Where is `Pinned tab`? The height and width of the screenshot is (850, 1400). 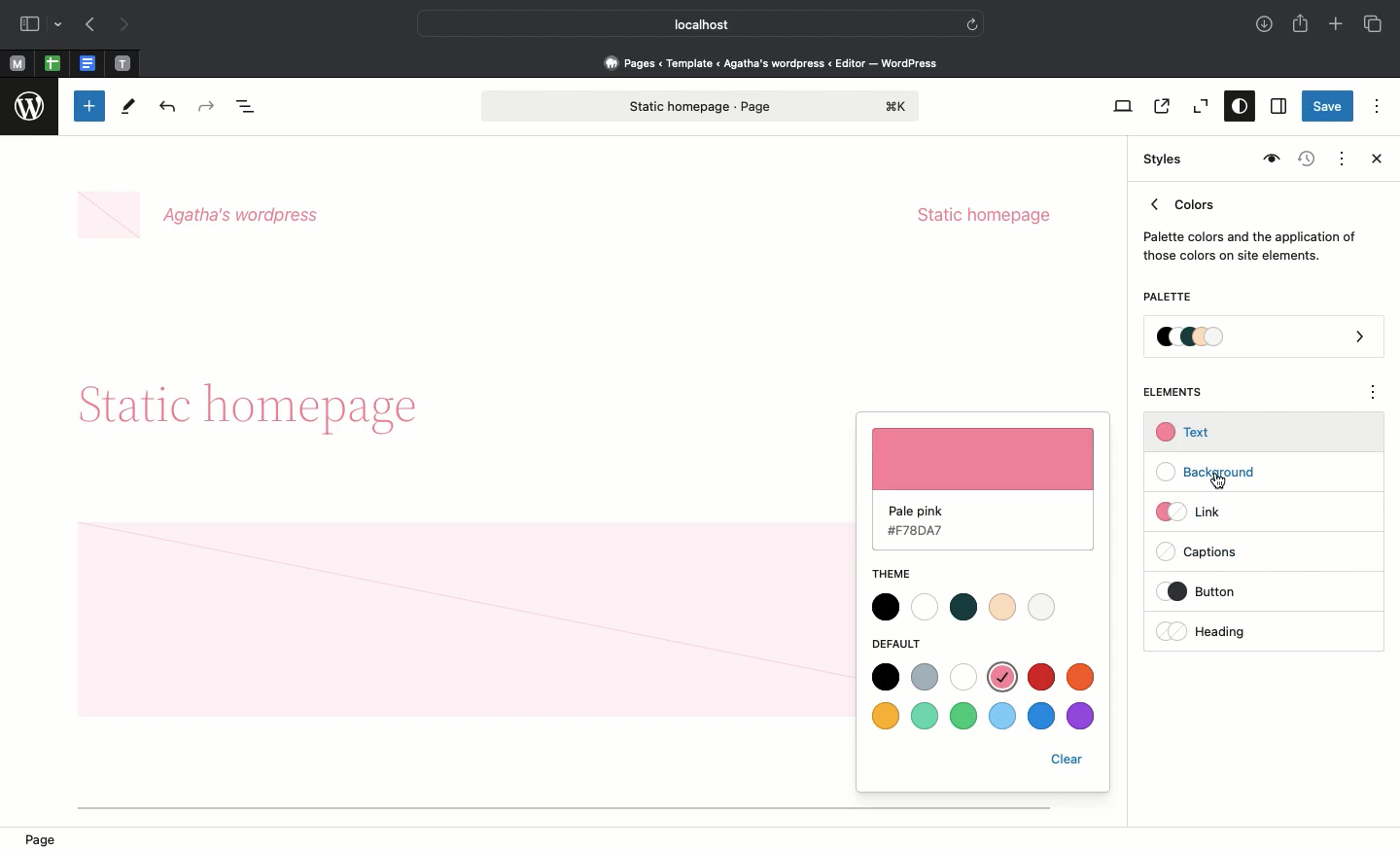 Pinned tab is located at coordinates (89, 64).